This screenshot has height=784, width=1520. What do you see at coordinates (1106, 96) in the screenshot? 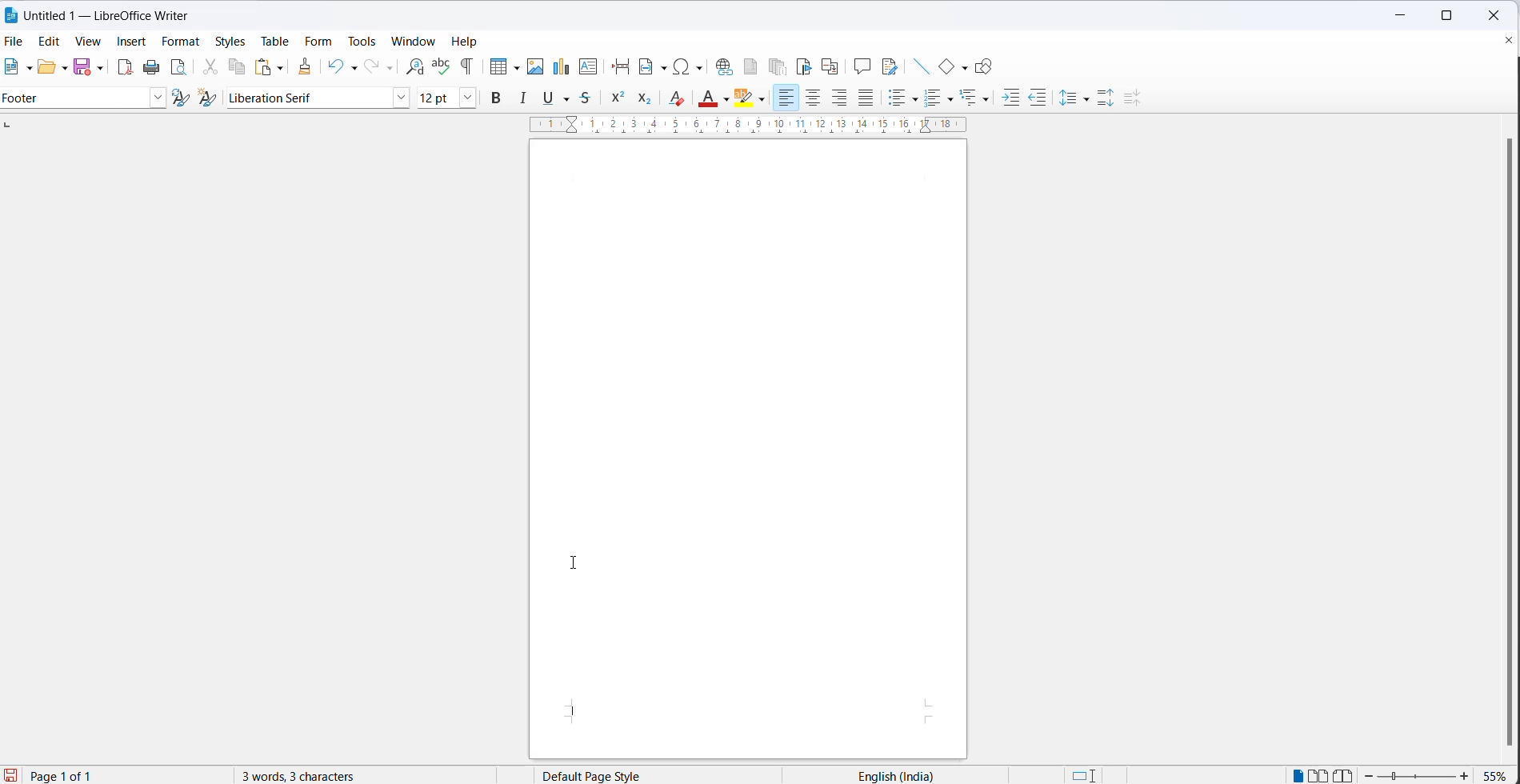
I see `increase paragraph space` at bounding box center [1106, 96].